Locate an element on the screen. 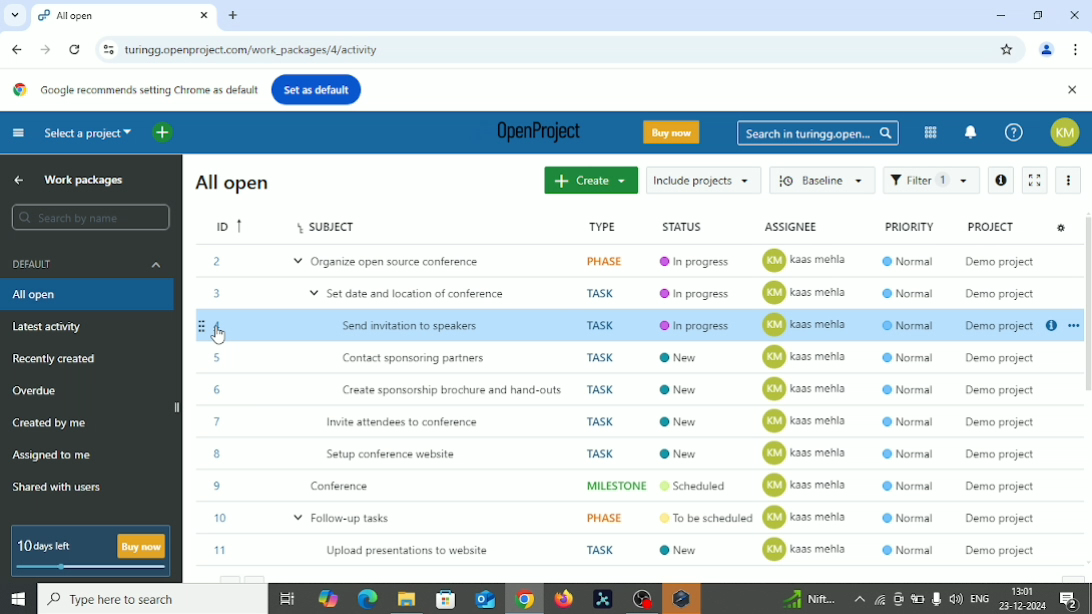 This screenshot has width=1092, height=614. Minimize is located at coordinates (999, 15).